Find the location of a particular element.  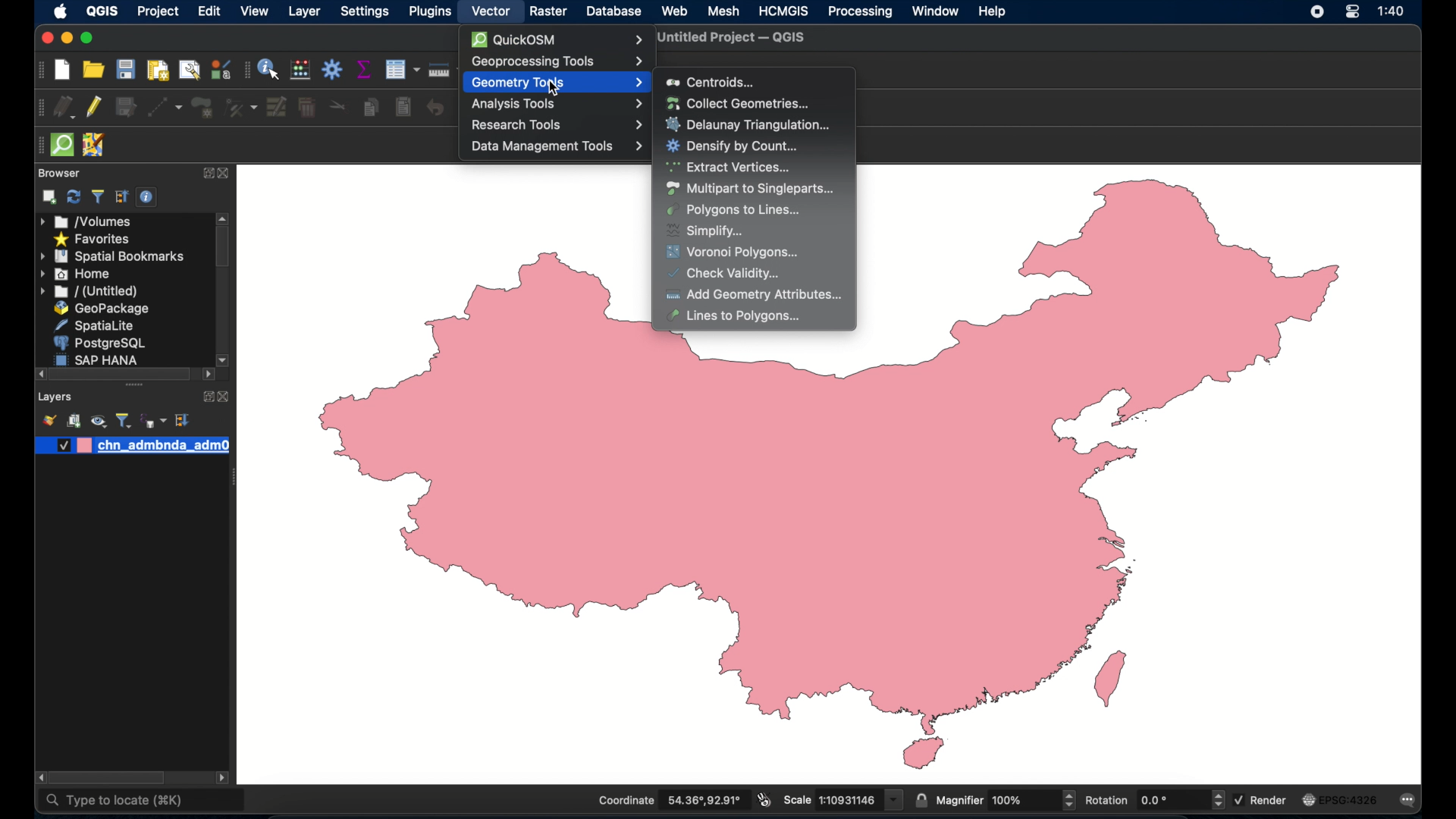

voronoi polygons is located at coordinates (735, 253).